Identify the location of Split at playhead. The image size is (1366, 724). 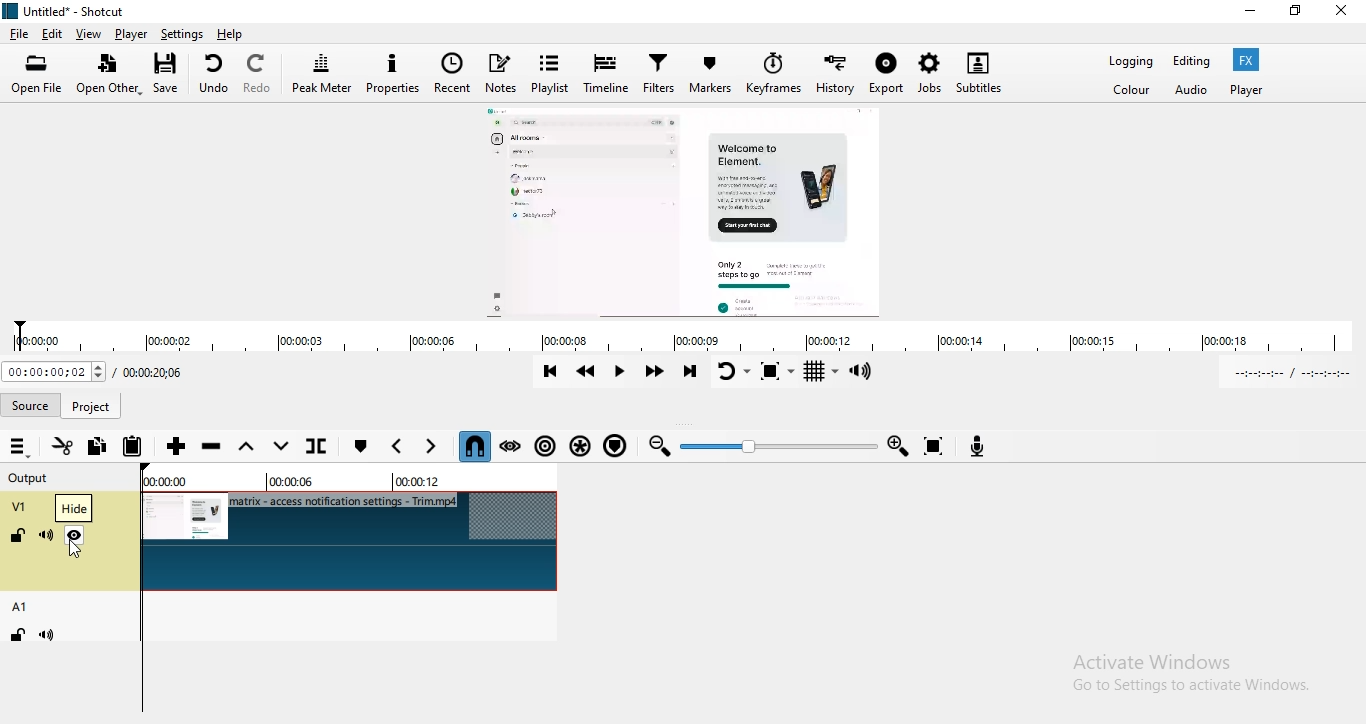
(322, 448).